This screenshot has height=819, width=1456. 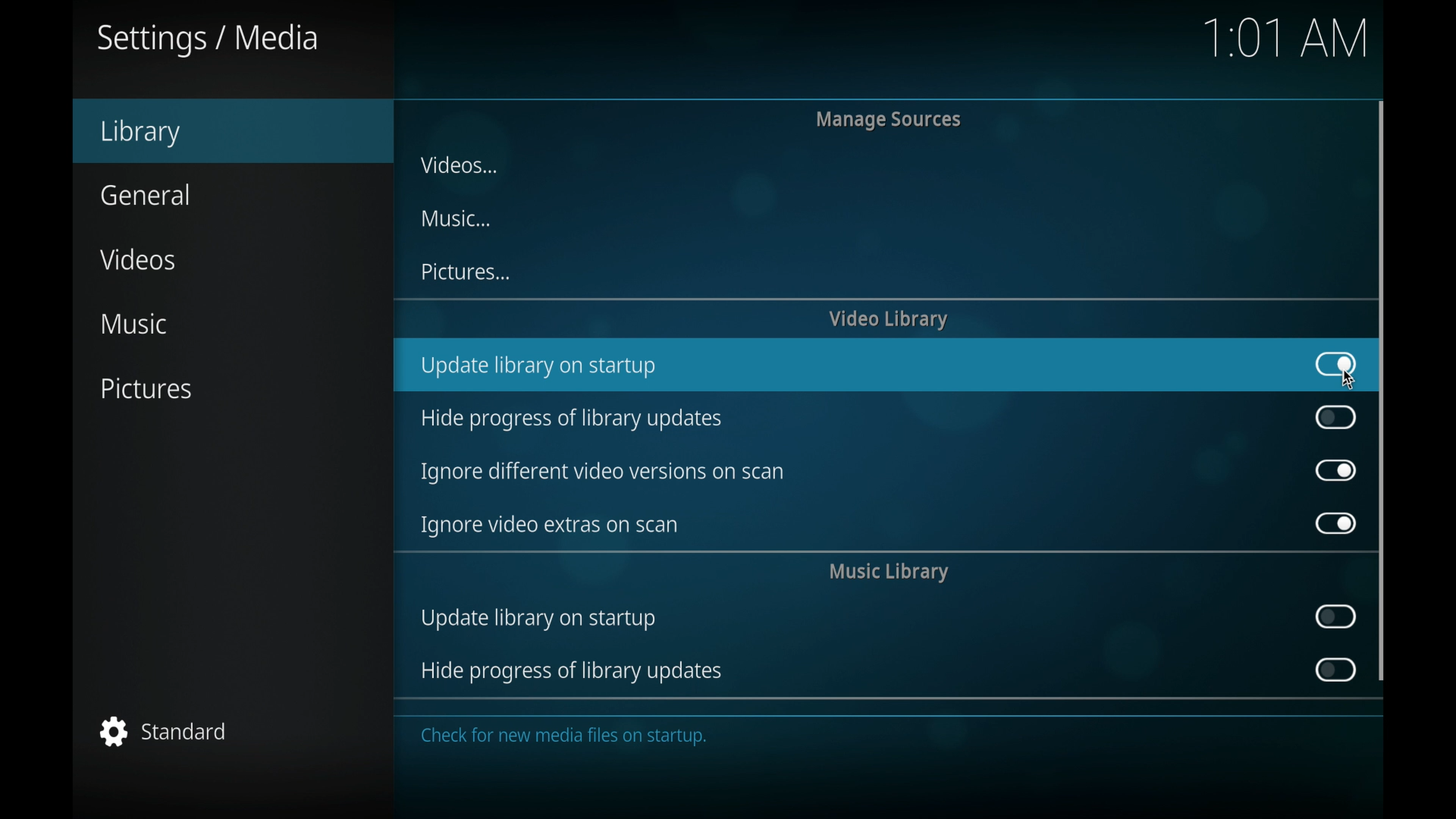 I want to click on toggle button, so click(x=1336, y=416).